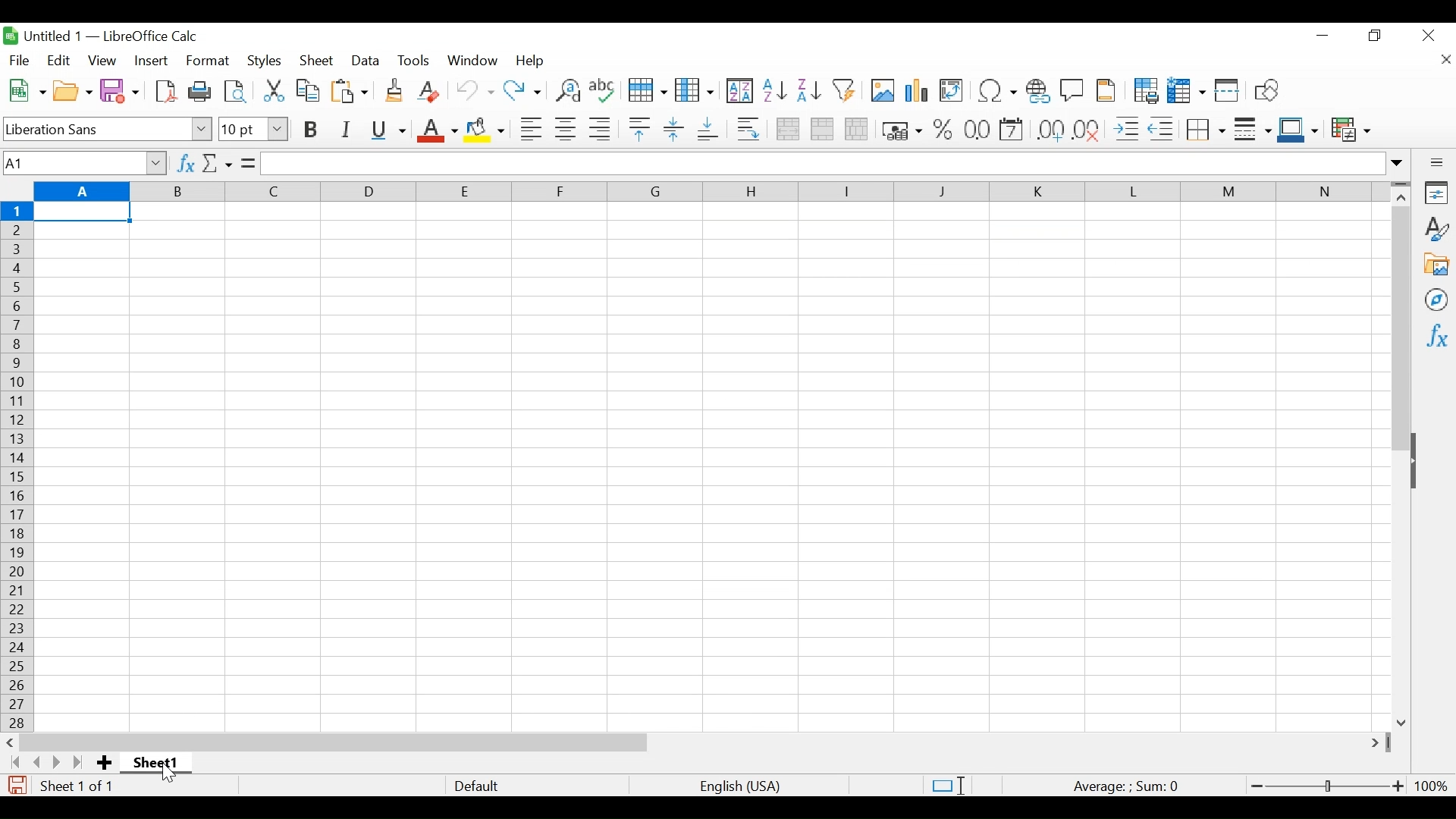  Describe the element at coordinates (1350, 131) in the screenshot. I see `Conditional` at that location.